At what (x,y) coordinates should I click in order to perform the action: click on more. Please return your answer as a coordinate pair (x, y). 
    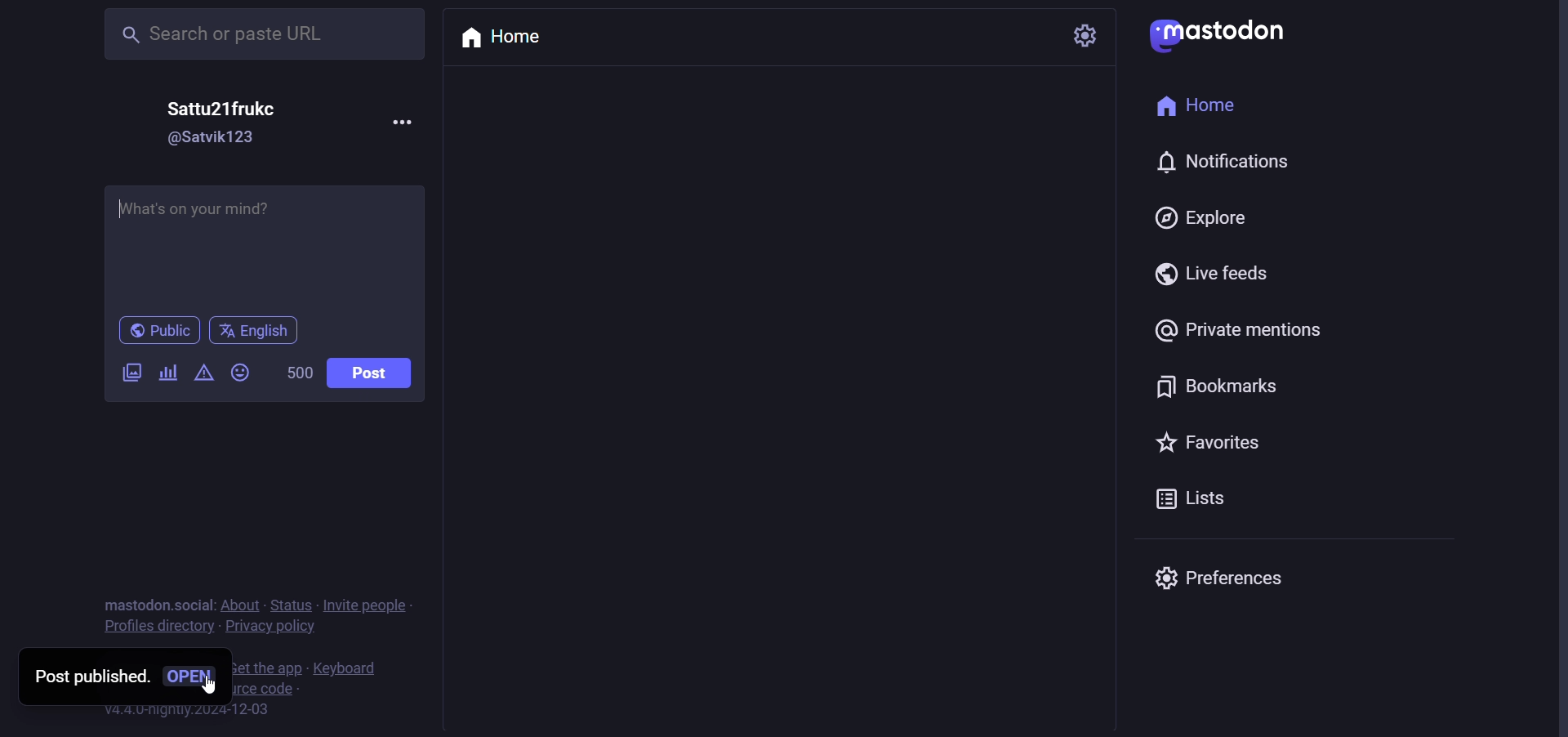
    Looking at the image, I should click on (403, 123).